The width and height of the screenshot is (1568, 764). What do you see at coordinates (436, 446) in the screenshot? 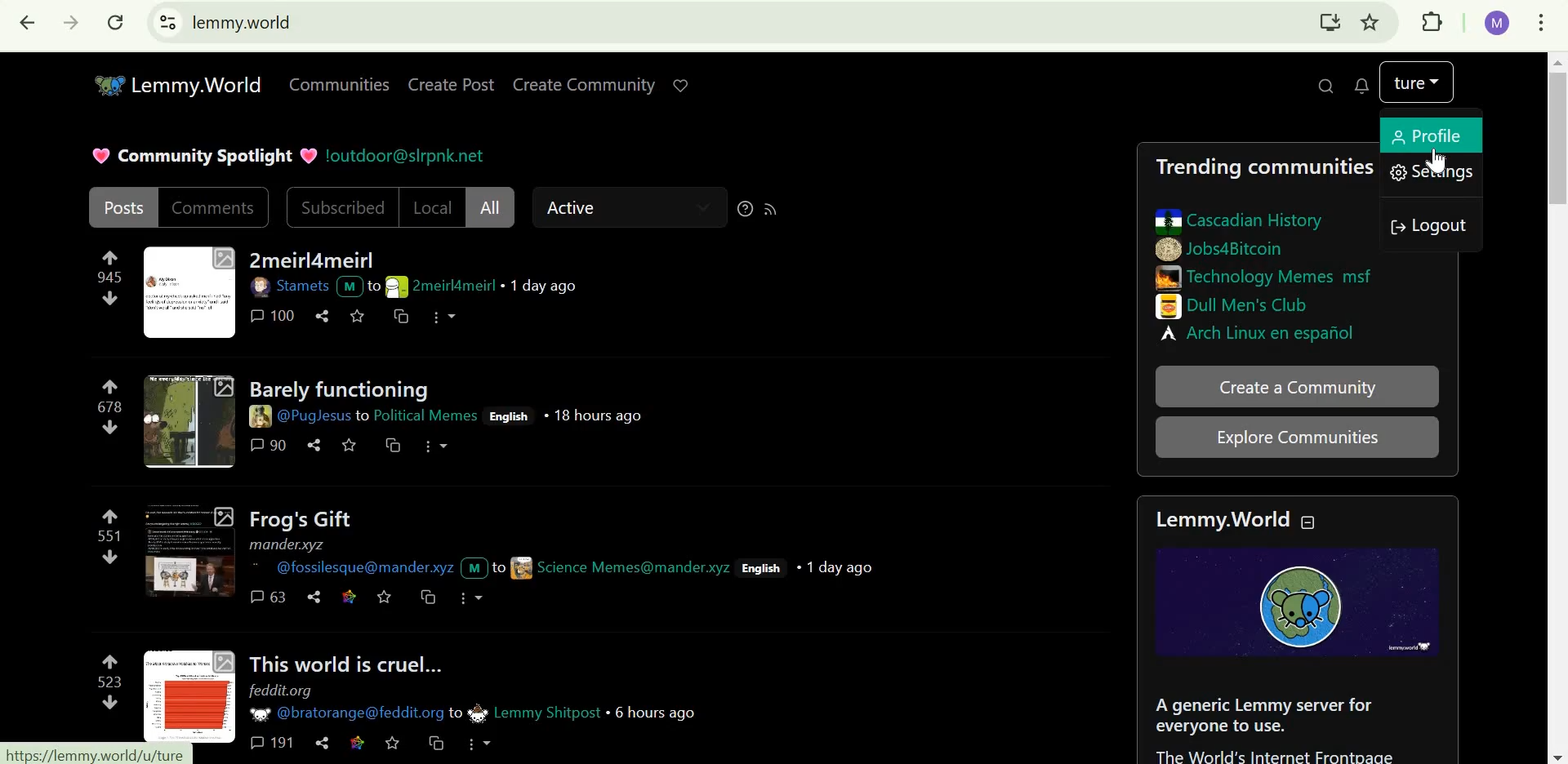
I see `more` at bounding box center [436, 446].